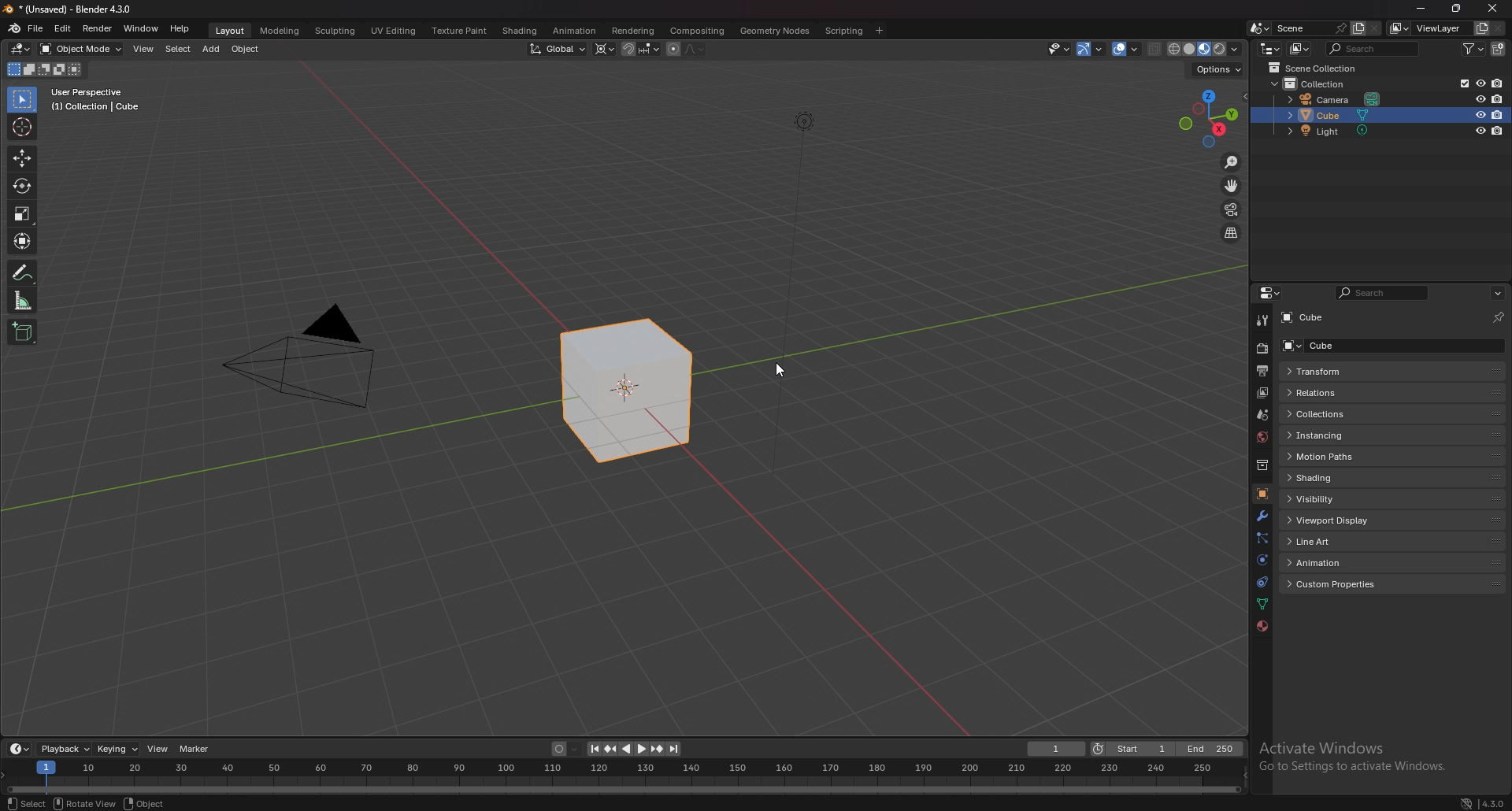  Describe the element at coordinates (1498, 293) in the screenshot. I see `options` at that location.